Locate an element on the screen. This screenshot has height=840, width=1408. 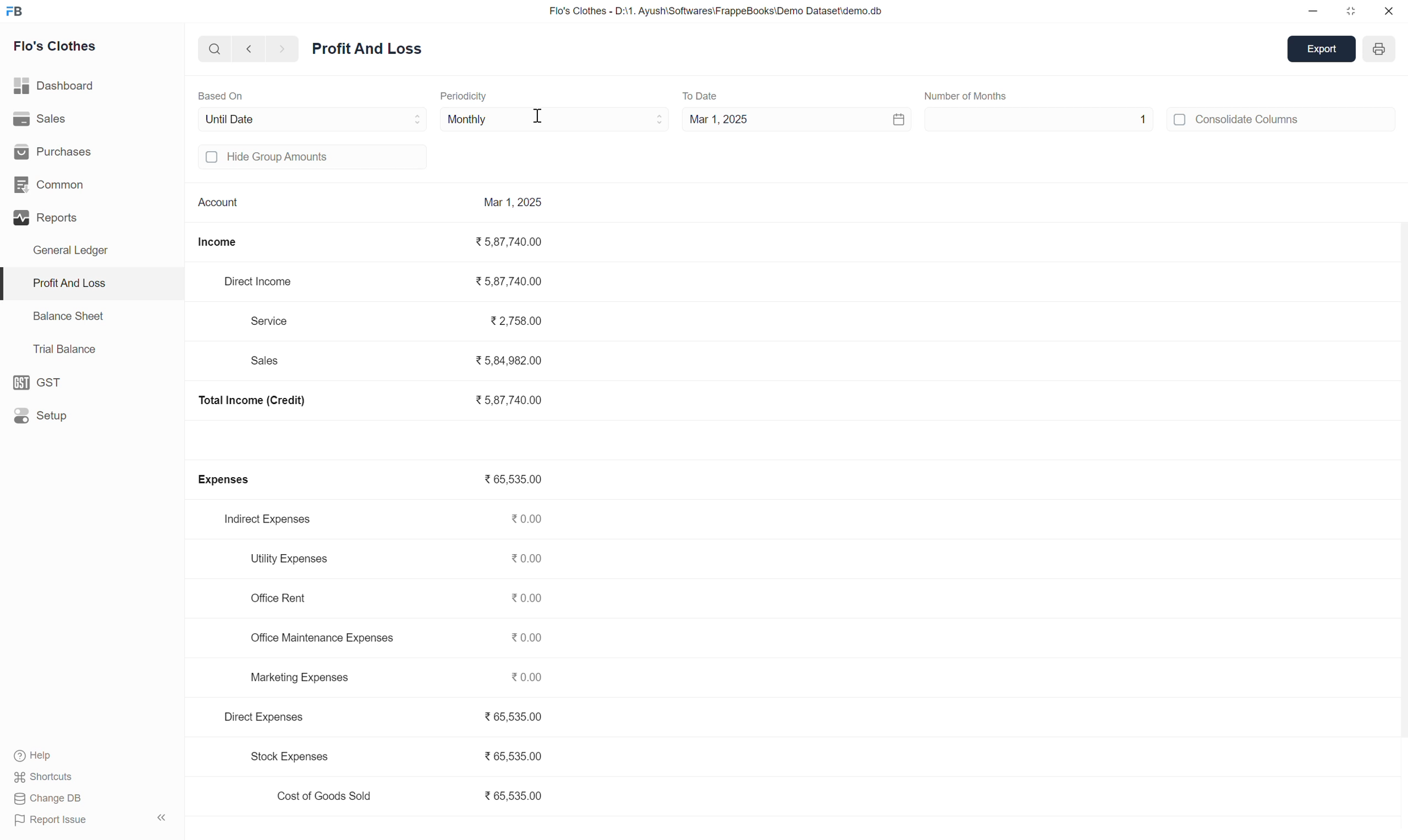
Office Rent is located at coordinates (281, 598).